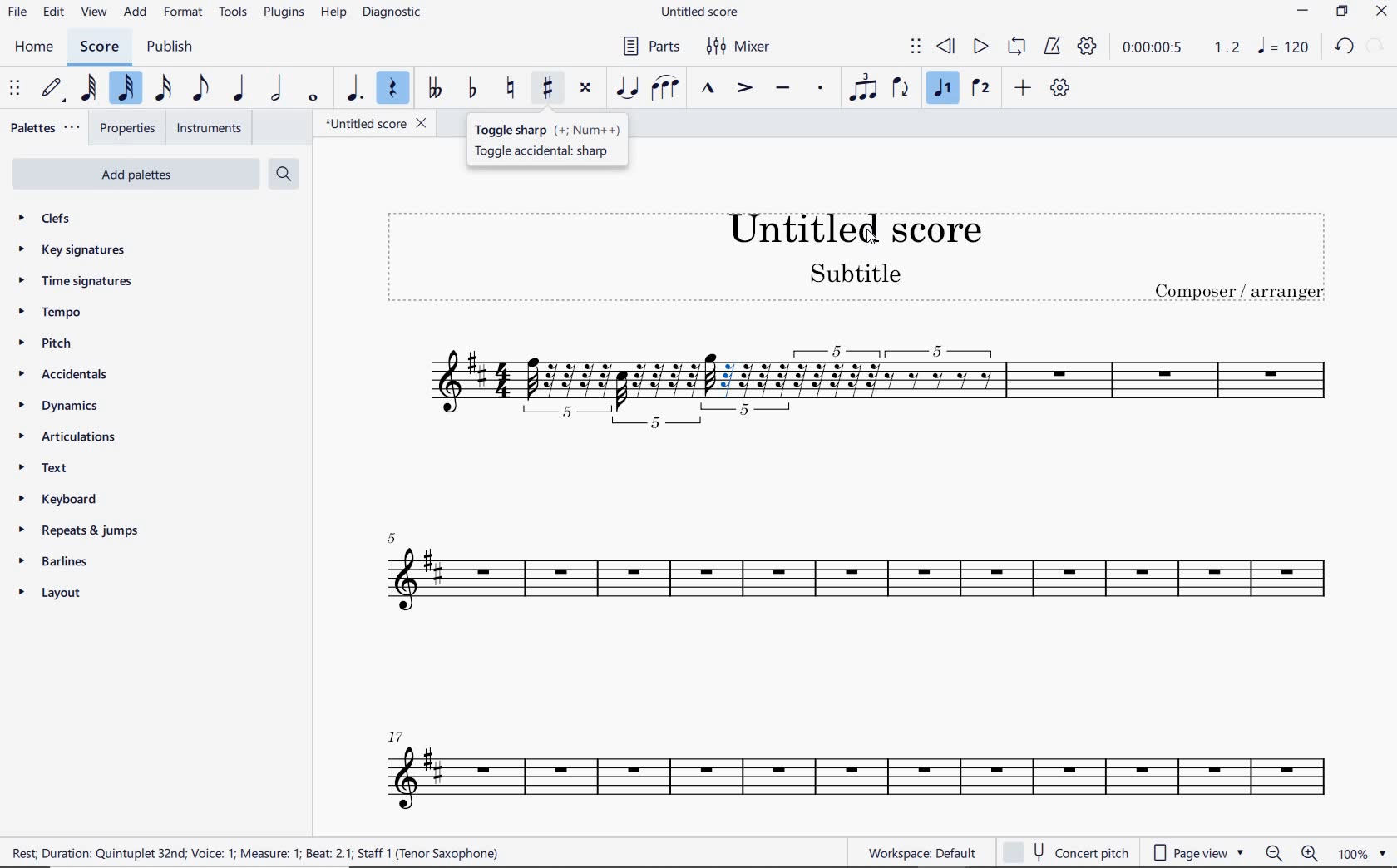 The height and width of the screenshot is (868, 1397). Describe the element at coordinates (868, 242) in the screenshot. I see `cursor` at that location.